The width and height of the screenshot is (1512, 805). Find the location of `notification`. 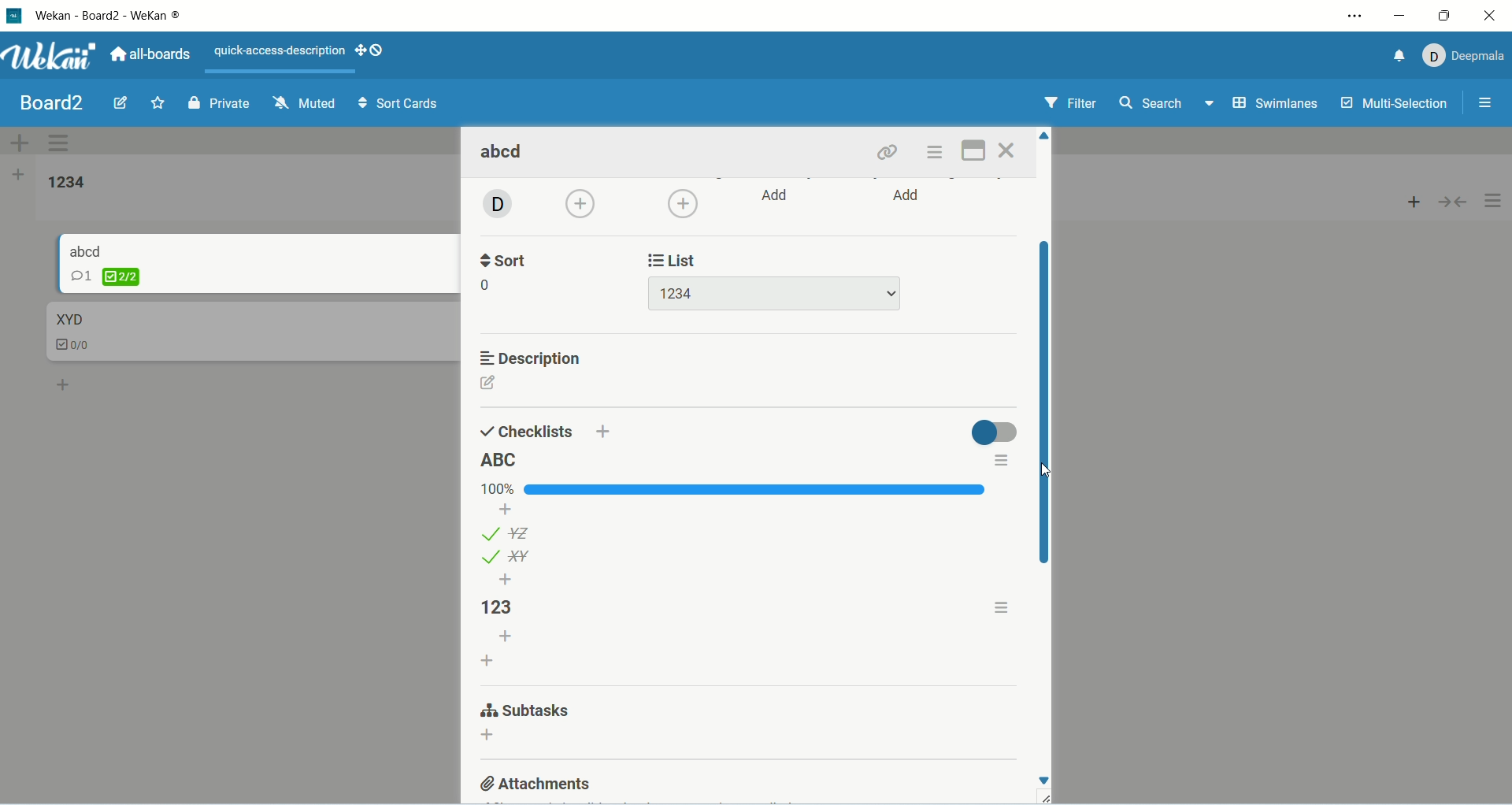

notification is located at coordinates (1395, 58).